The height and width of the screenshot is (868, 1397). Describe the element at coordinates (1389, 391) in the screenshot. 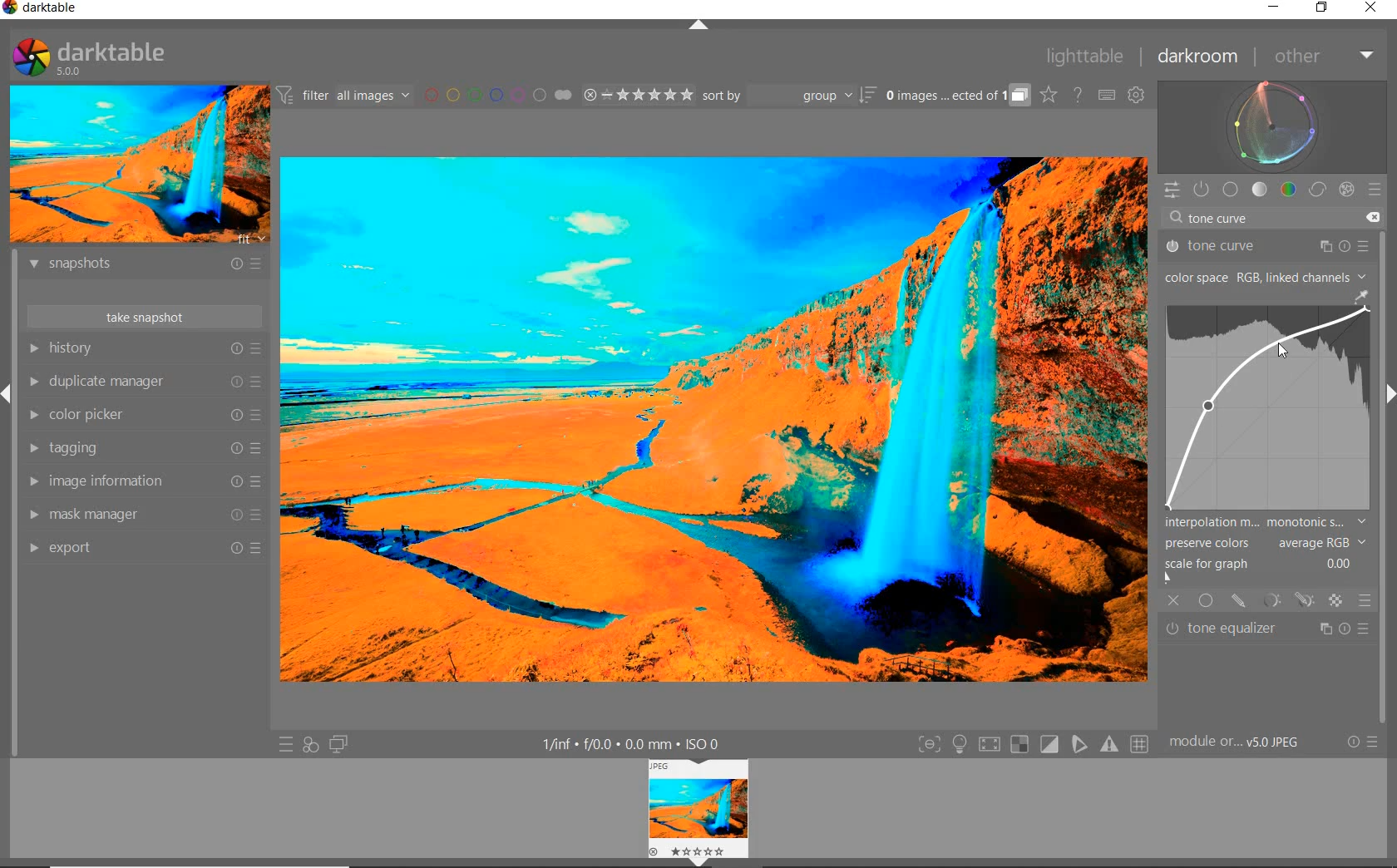

I see `Expand/Collapse` at that location.